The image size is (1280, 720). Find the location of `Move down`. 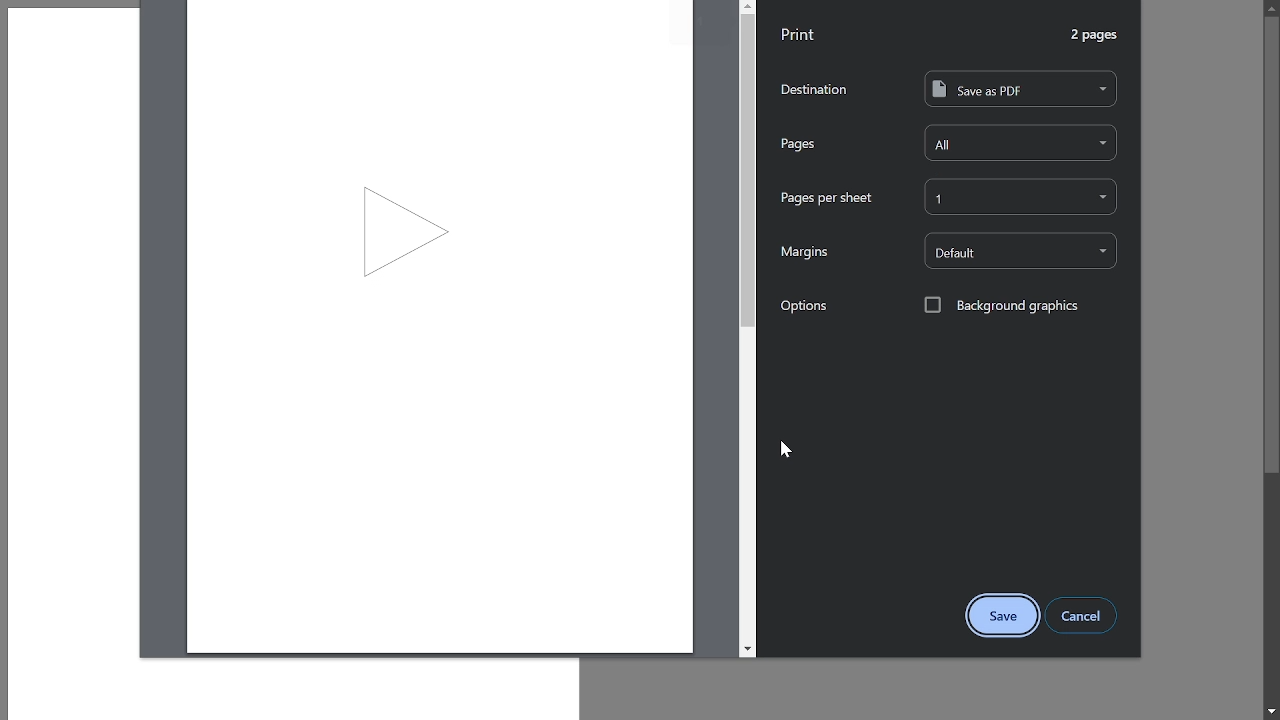

Move down is located at coordinates (1272, 712).